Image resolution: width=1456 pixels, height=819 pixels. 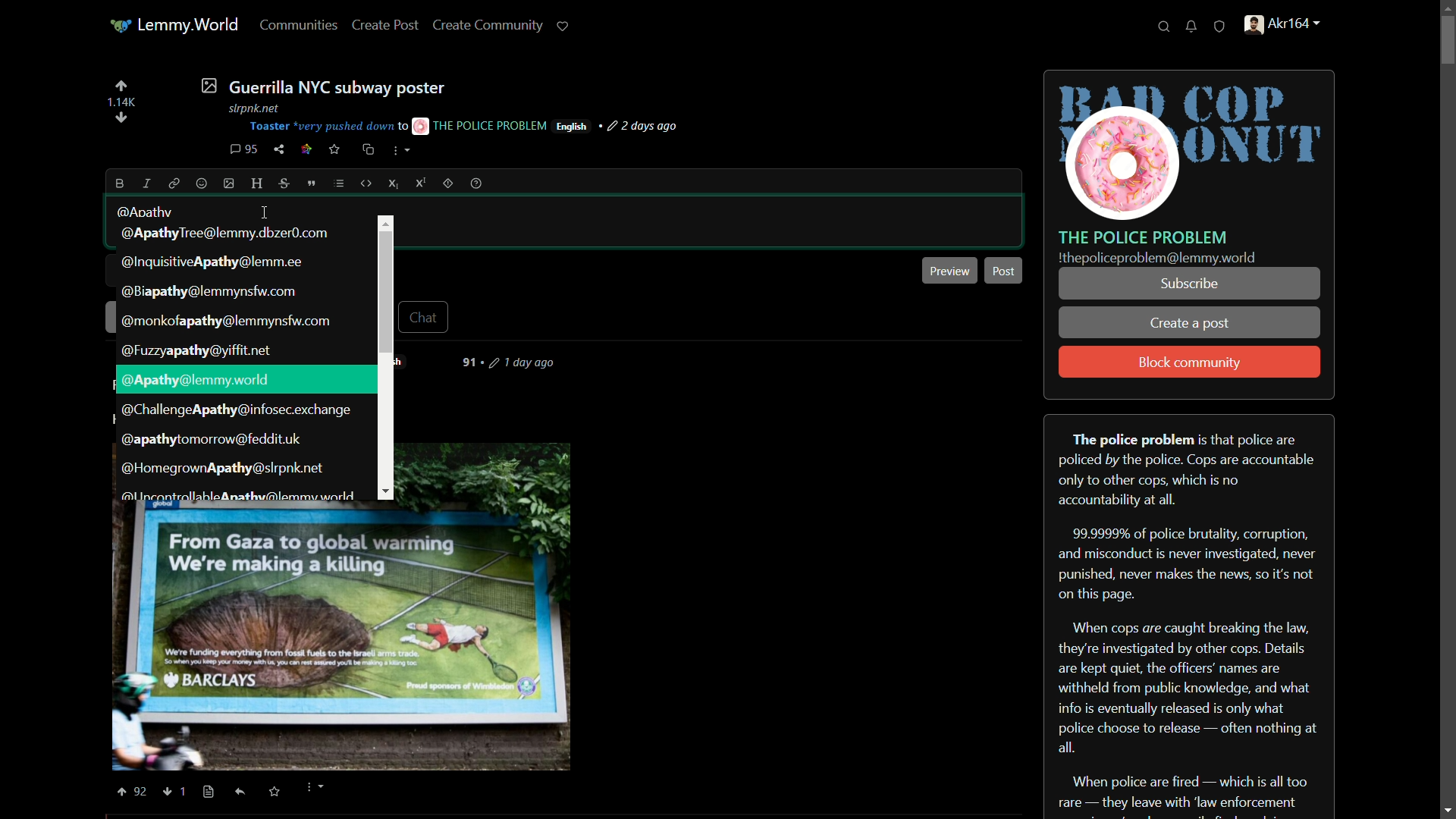 I want to click on quote, so click(x=312, y=184).